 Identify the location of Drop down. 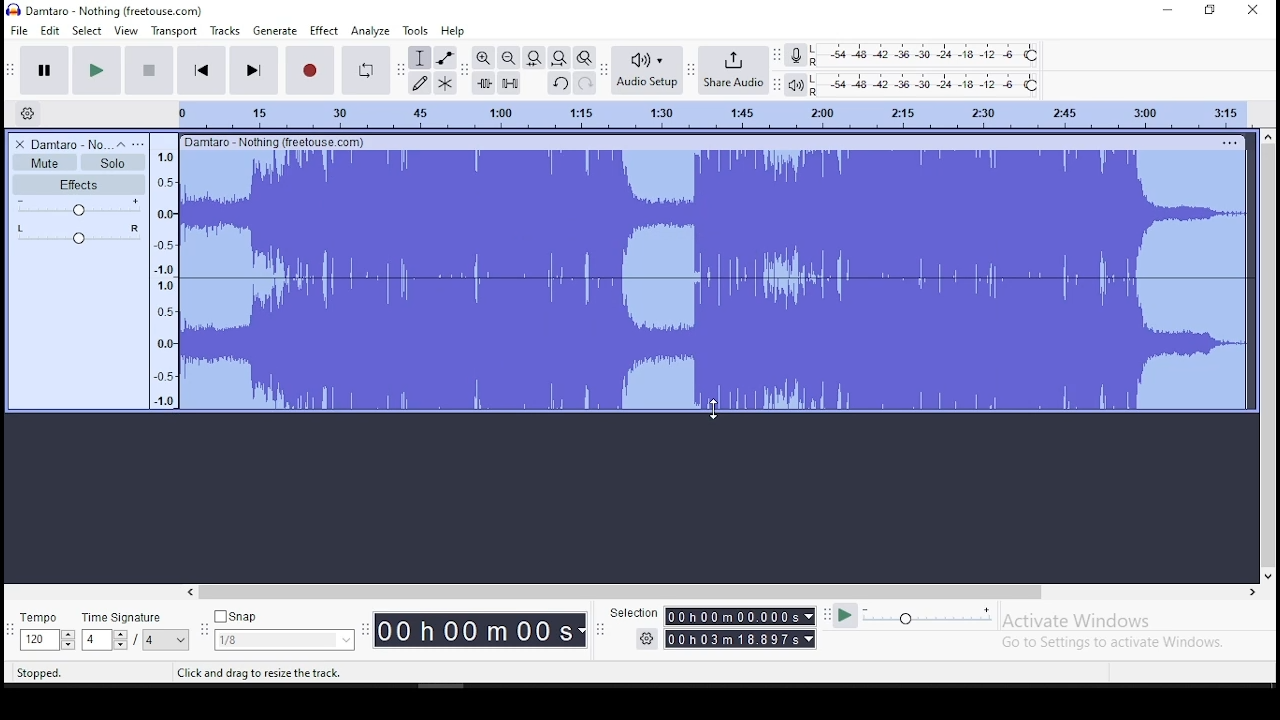
(582, 631).